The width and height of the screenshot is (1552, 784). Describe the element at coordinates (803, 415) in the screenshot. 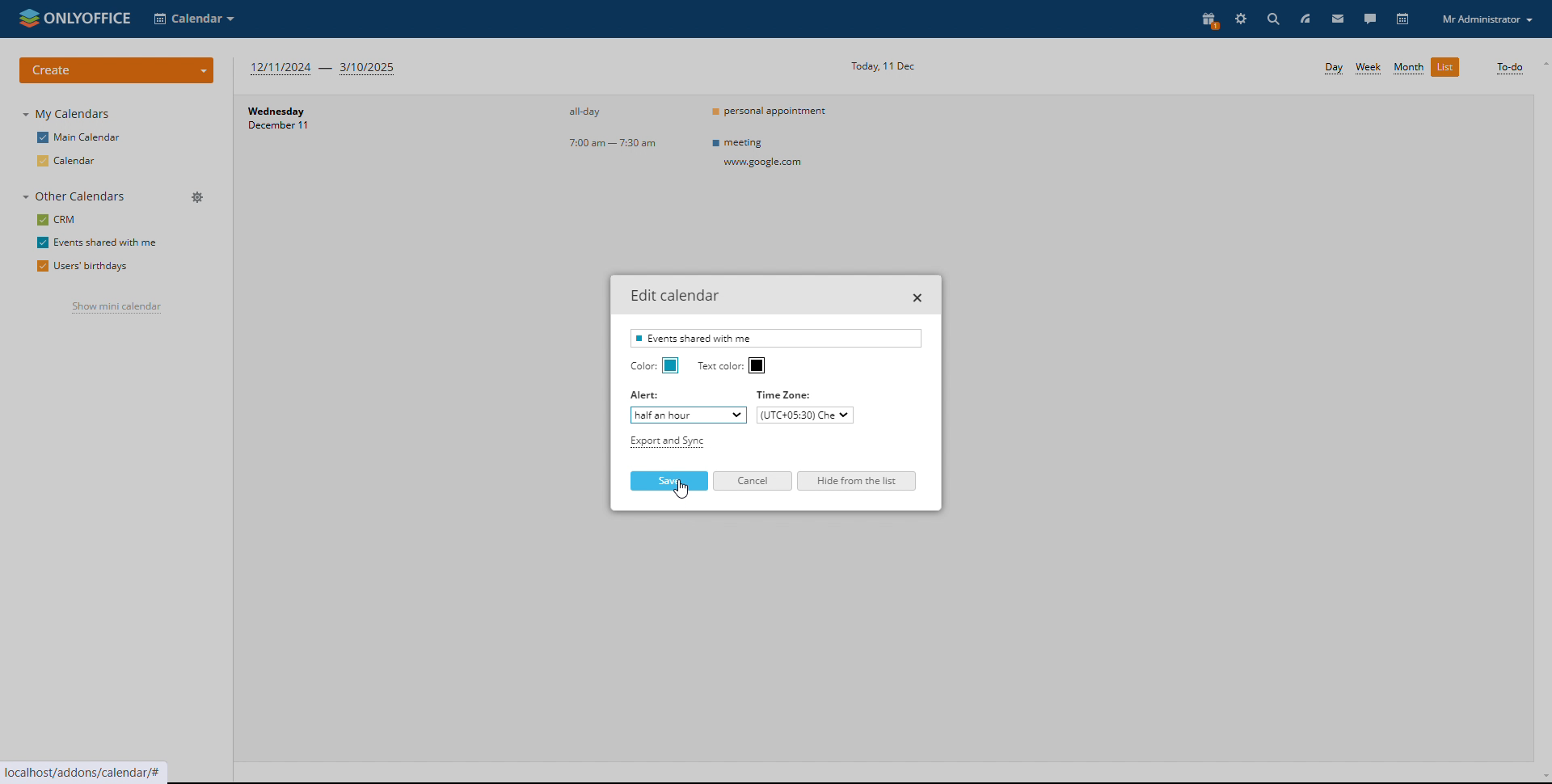

I see `set timezone` at that location.